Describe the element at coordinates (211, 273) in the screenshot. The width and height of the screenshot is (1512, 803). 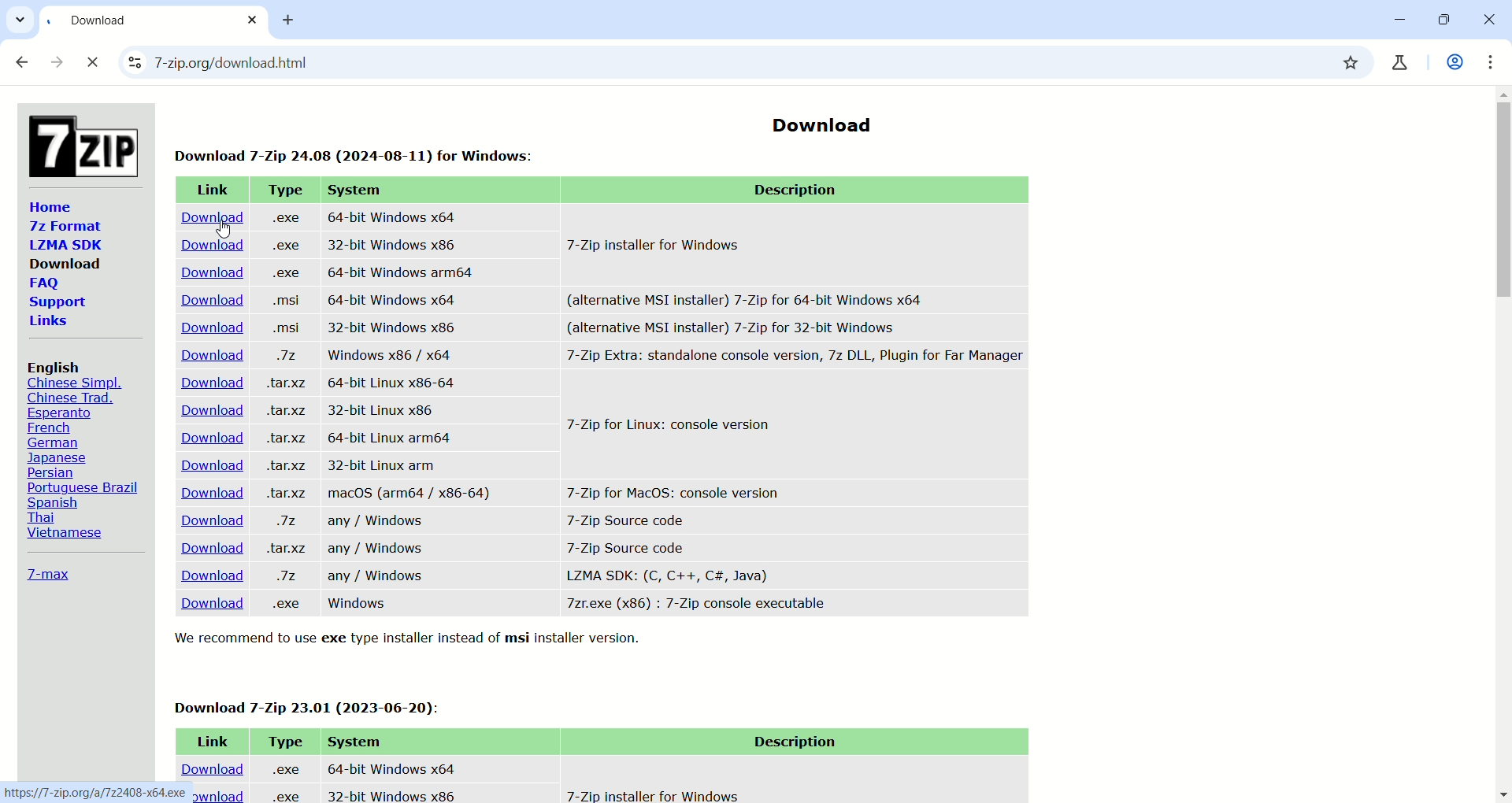
I see `Download` at that location.